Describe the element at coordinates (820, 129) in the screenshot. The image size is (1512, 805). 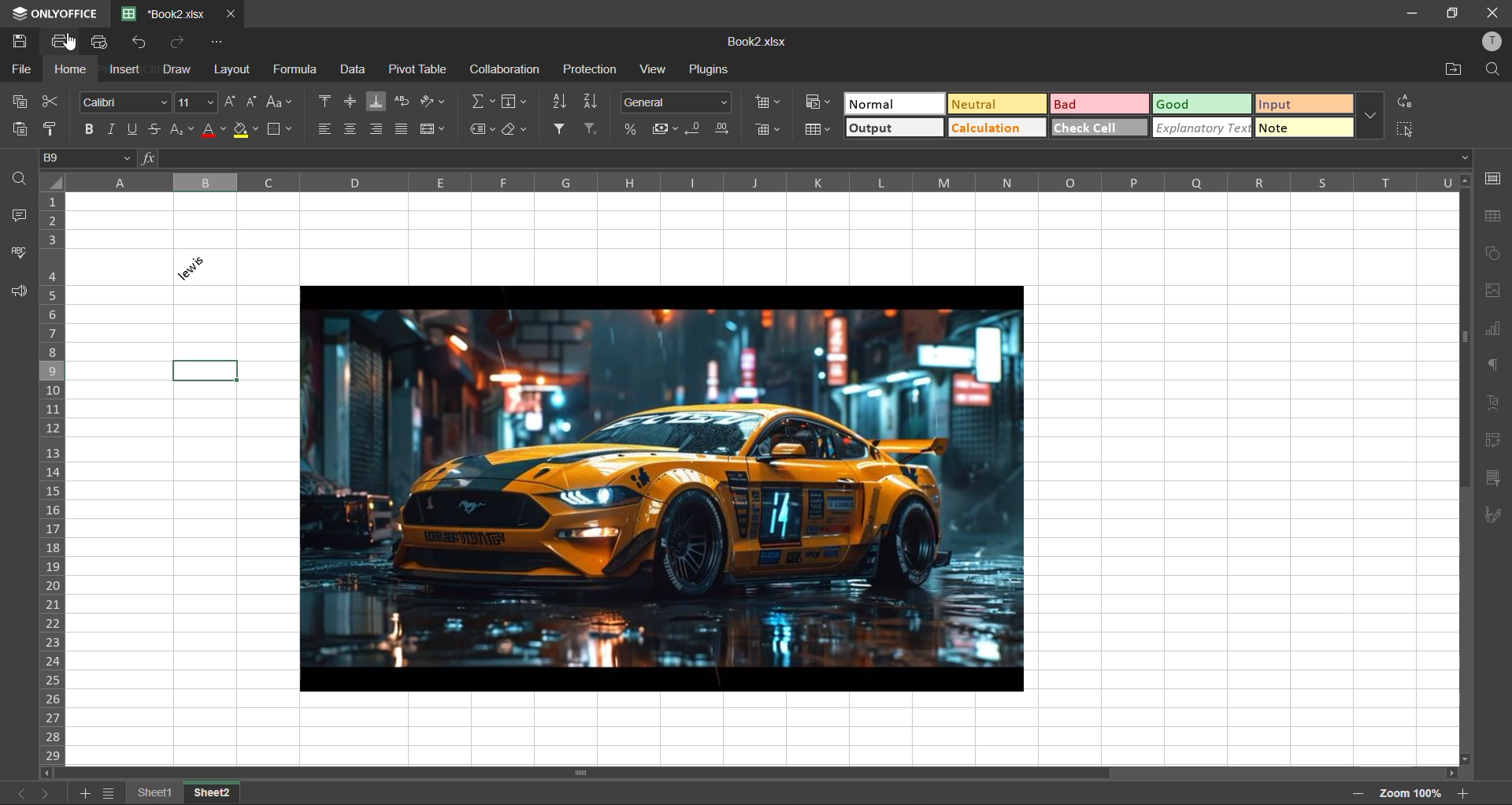
I see `format as table` at that location.